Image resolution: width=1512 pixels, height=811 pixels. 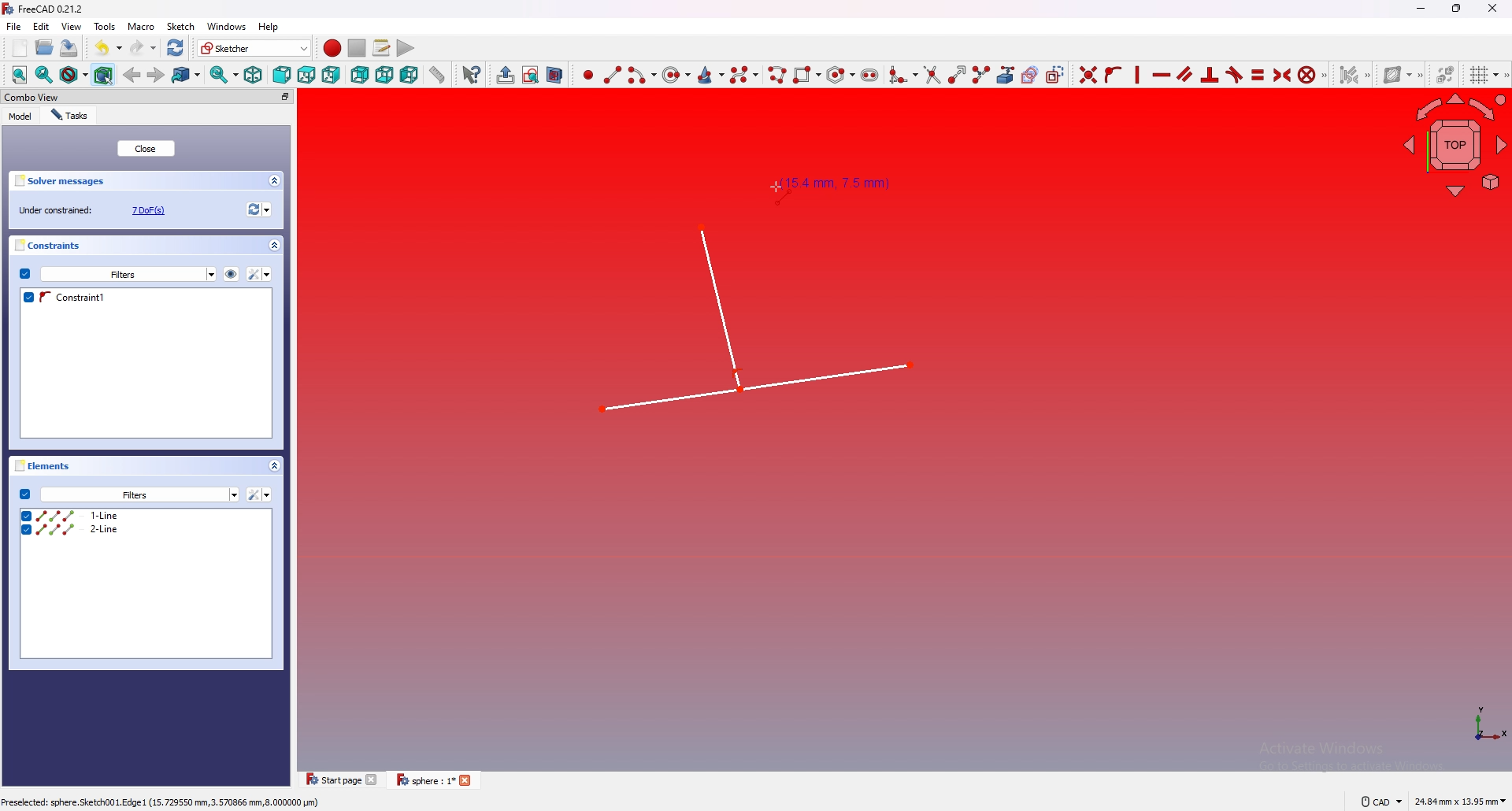 What do you see at coordinates (176, 46) in the screenshot?
I see `Refresh` at bounding box center [176, 46].